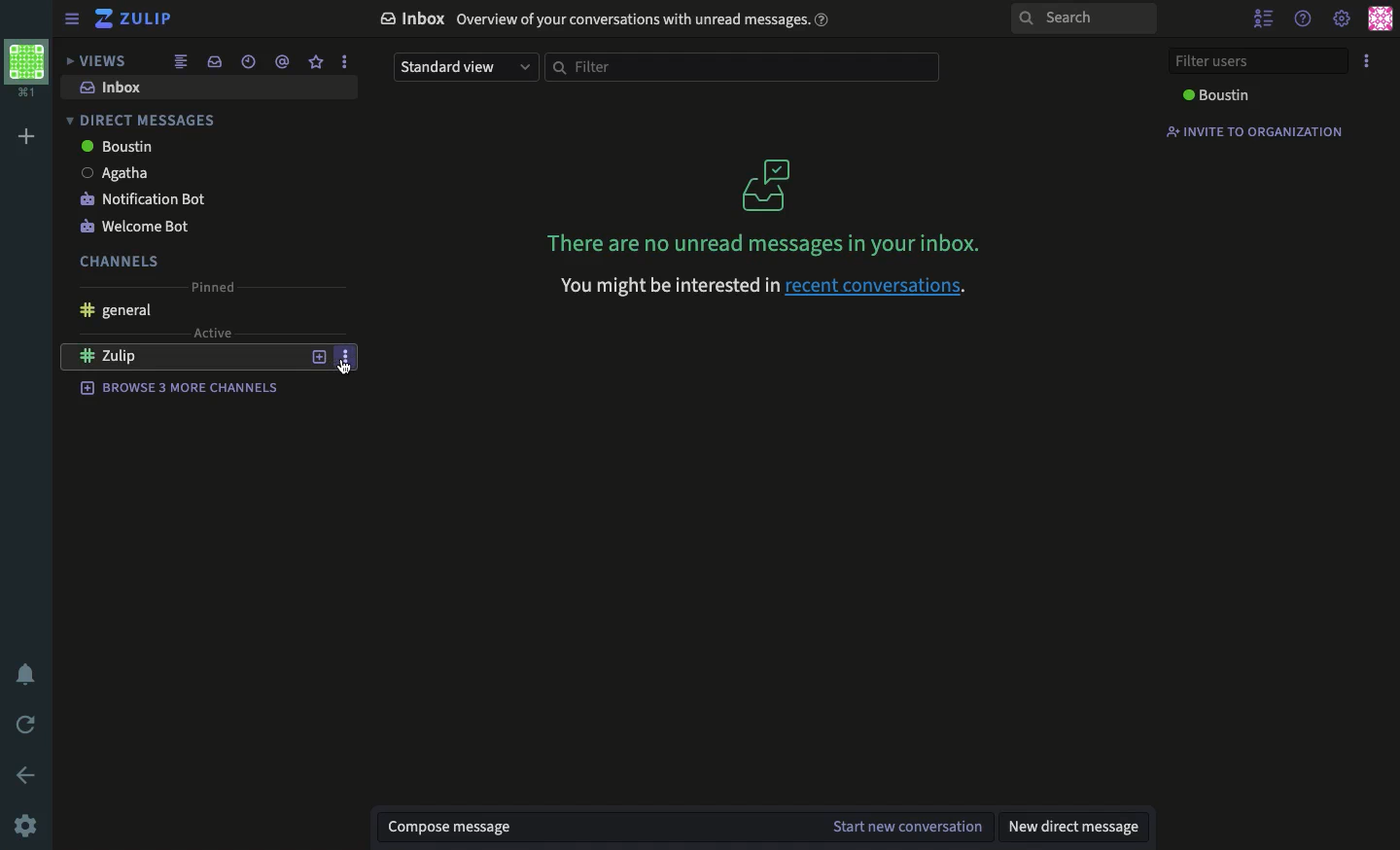  I want to click on search, so click(1084, 19).